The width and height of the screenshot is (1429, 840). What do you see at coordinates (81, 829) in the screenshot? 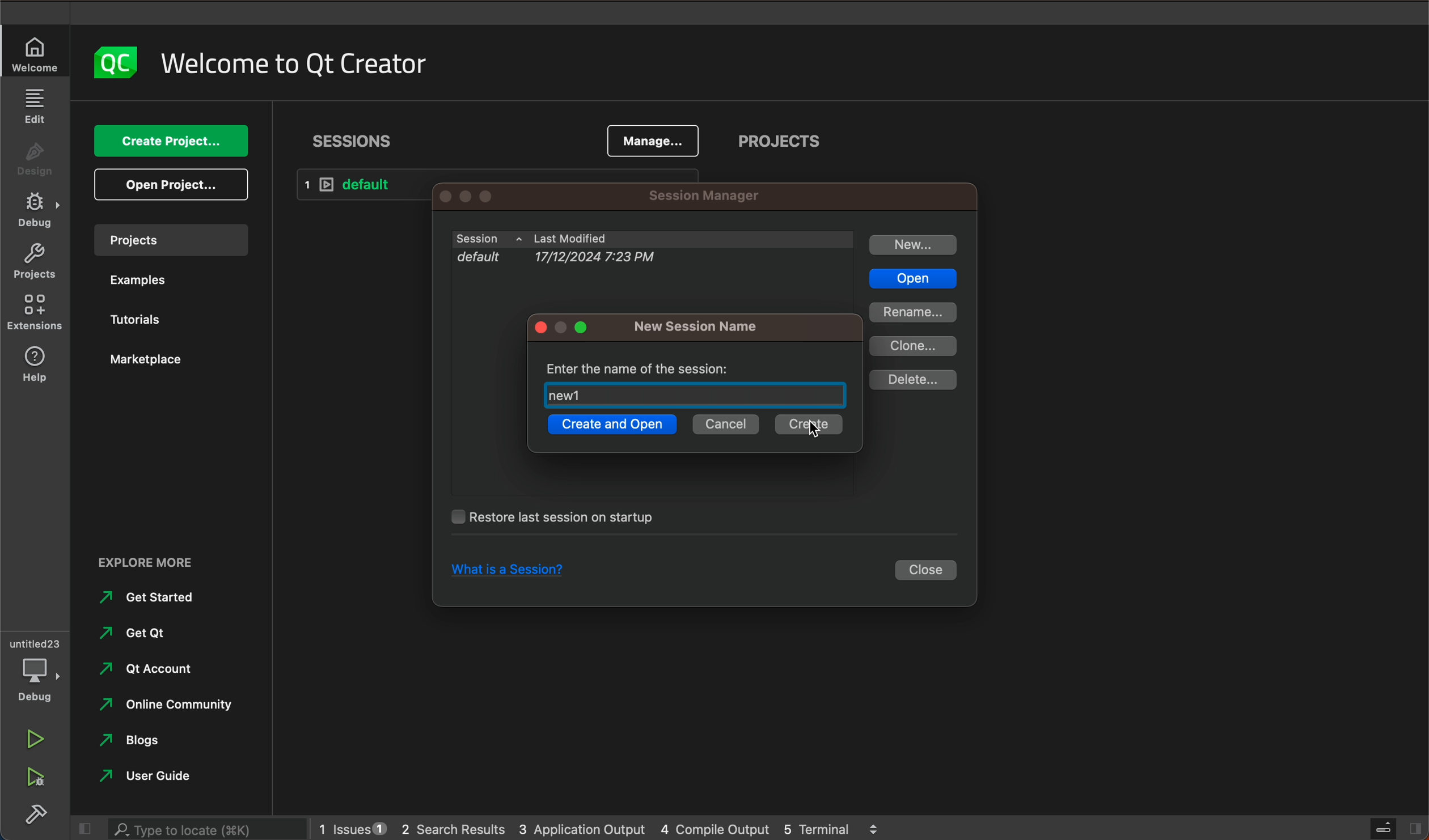
I see `close slide bar` at bounding box center [81, 829].